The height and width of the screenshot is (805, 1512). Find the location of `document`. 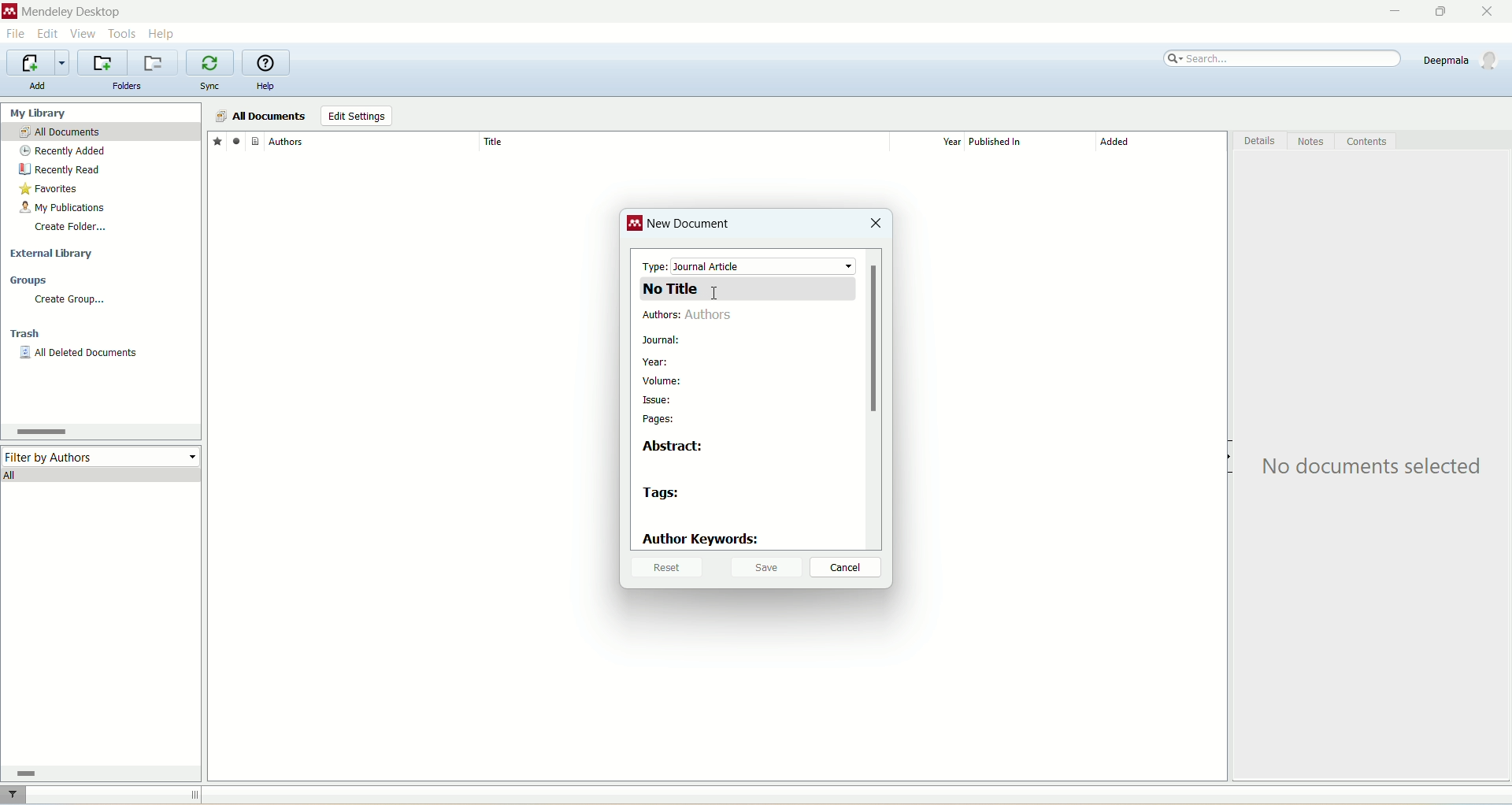

document is located at coordinates (255, 140).